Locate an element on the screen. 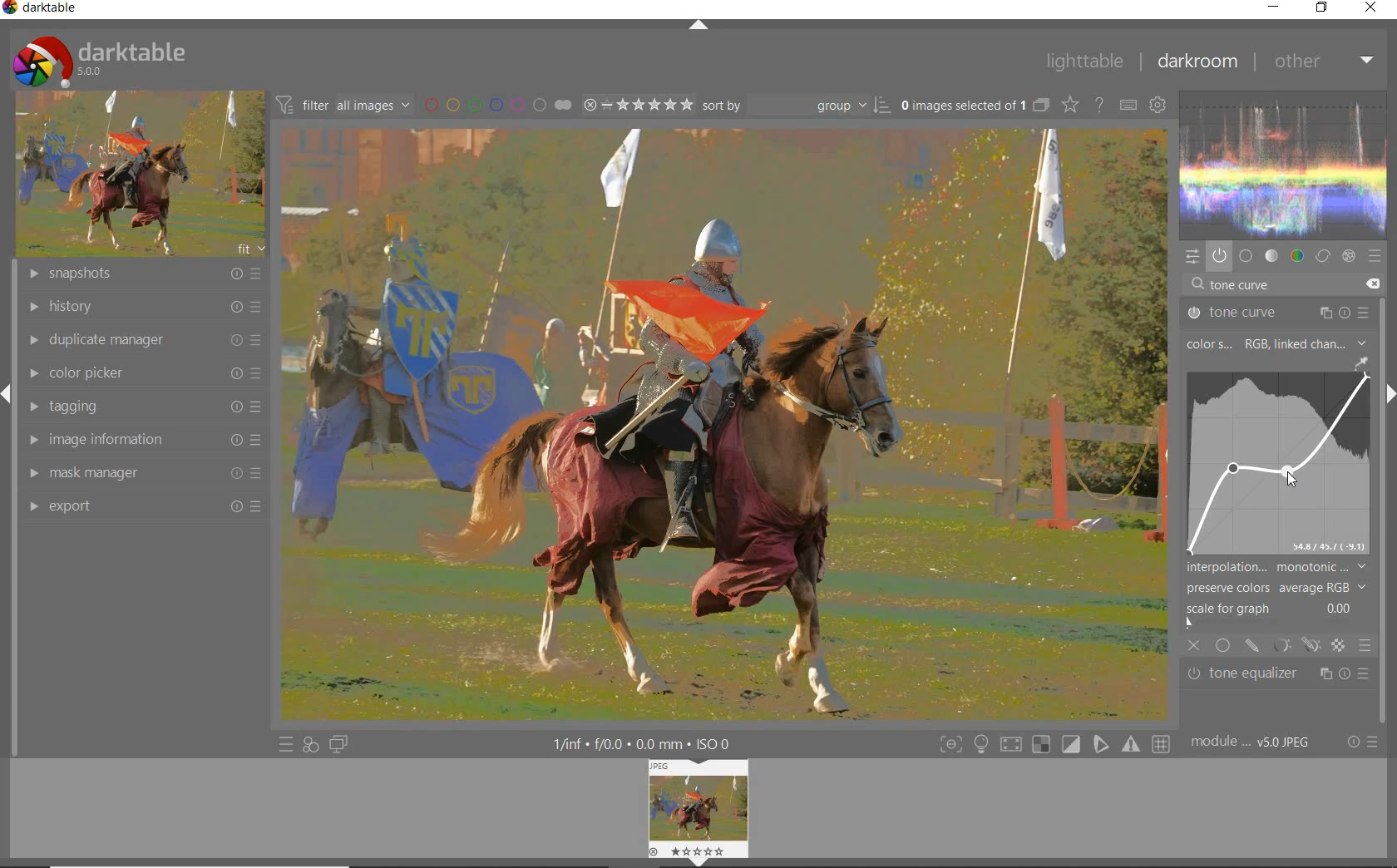 The image size is (1397, 868). selected image is located at coordinates (722, 423).